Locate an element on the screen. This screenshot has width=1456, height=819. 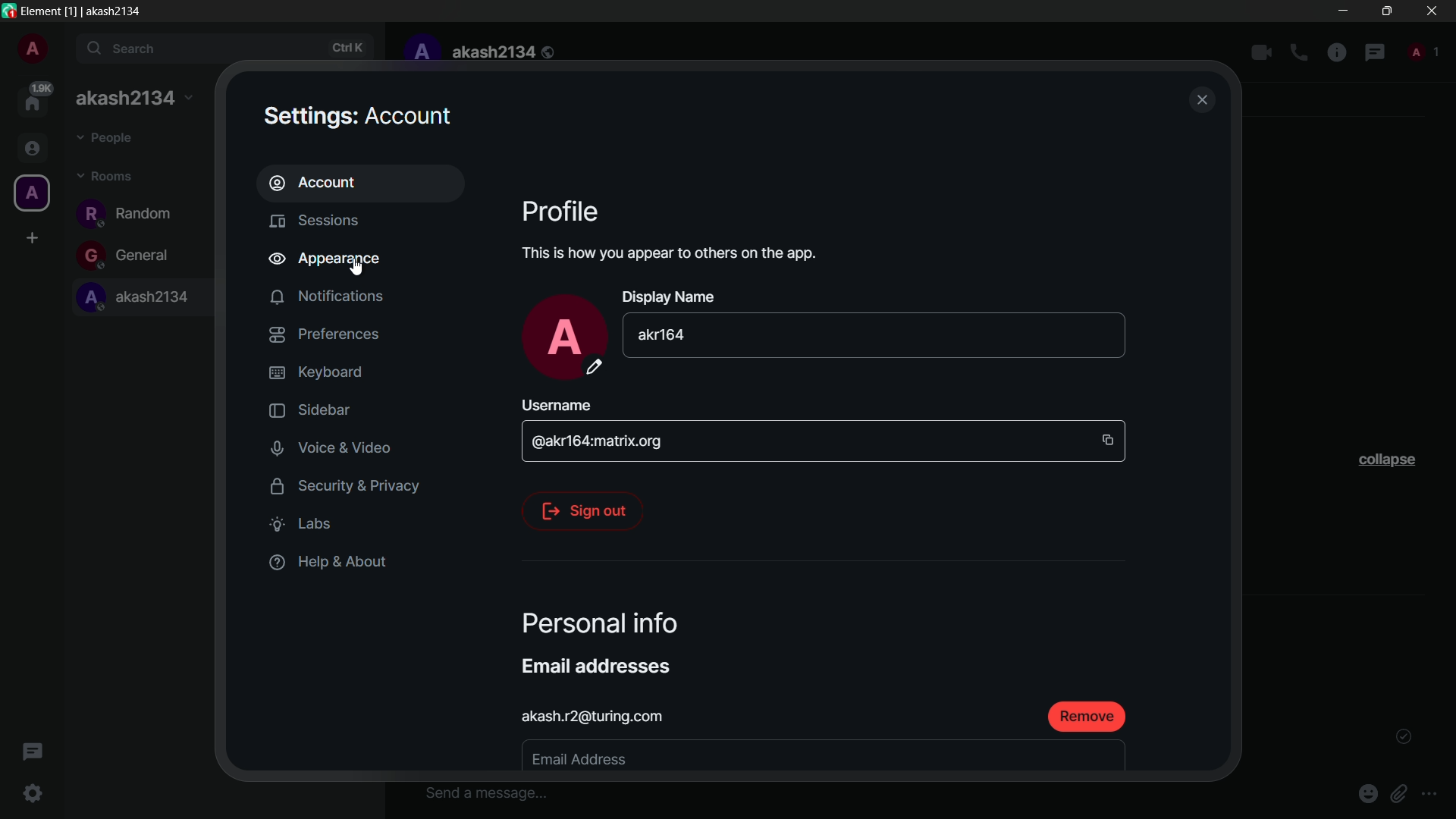
appearance is located at coordinates (322, 259).